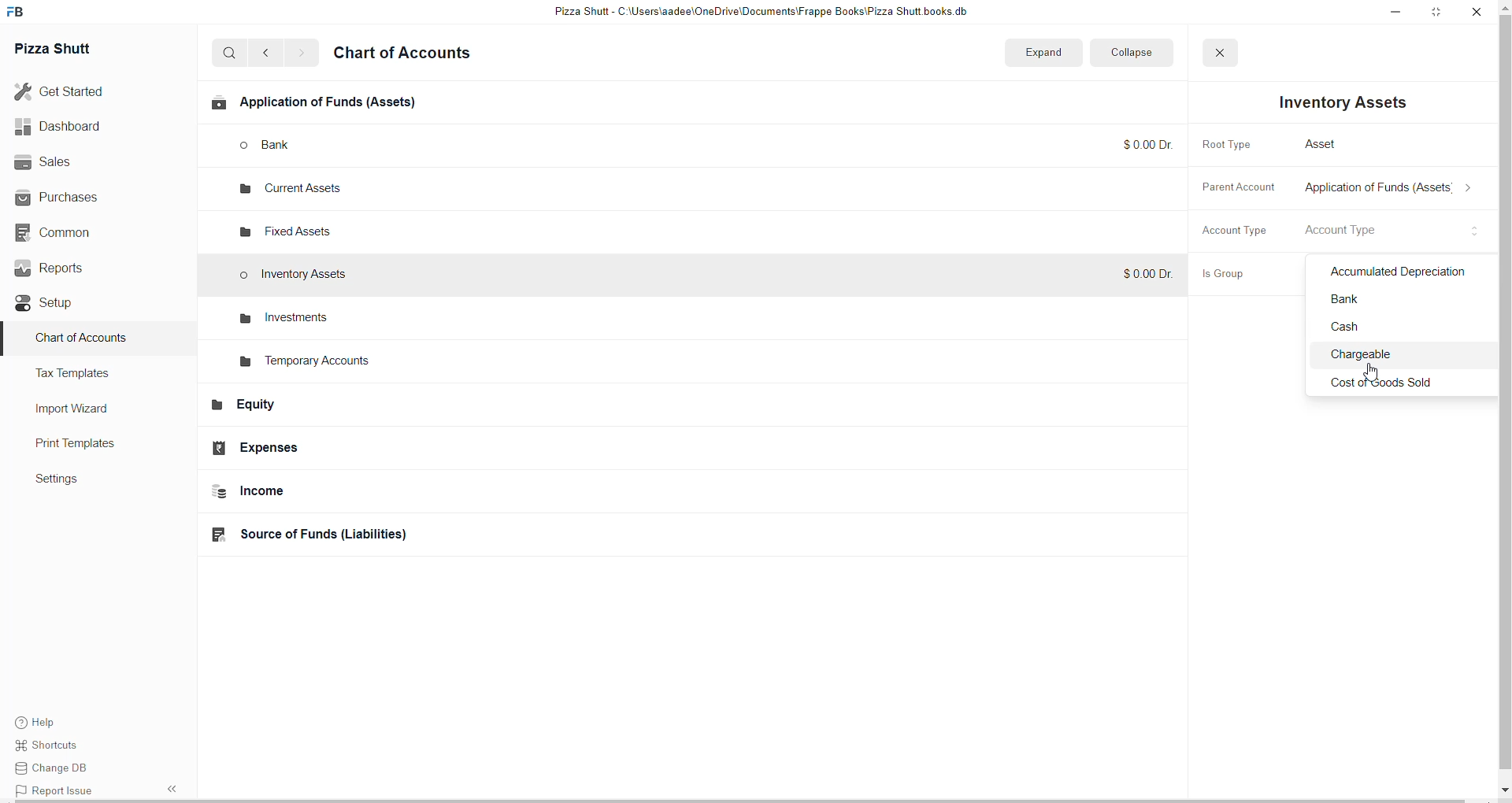  Describe the element at coordinates (69, 128) in the screenshot. I see `Dashboard ` at that location.